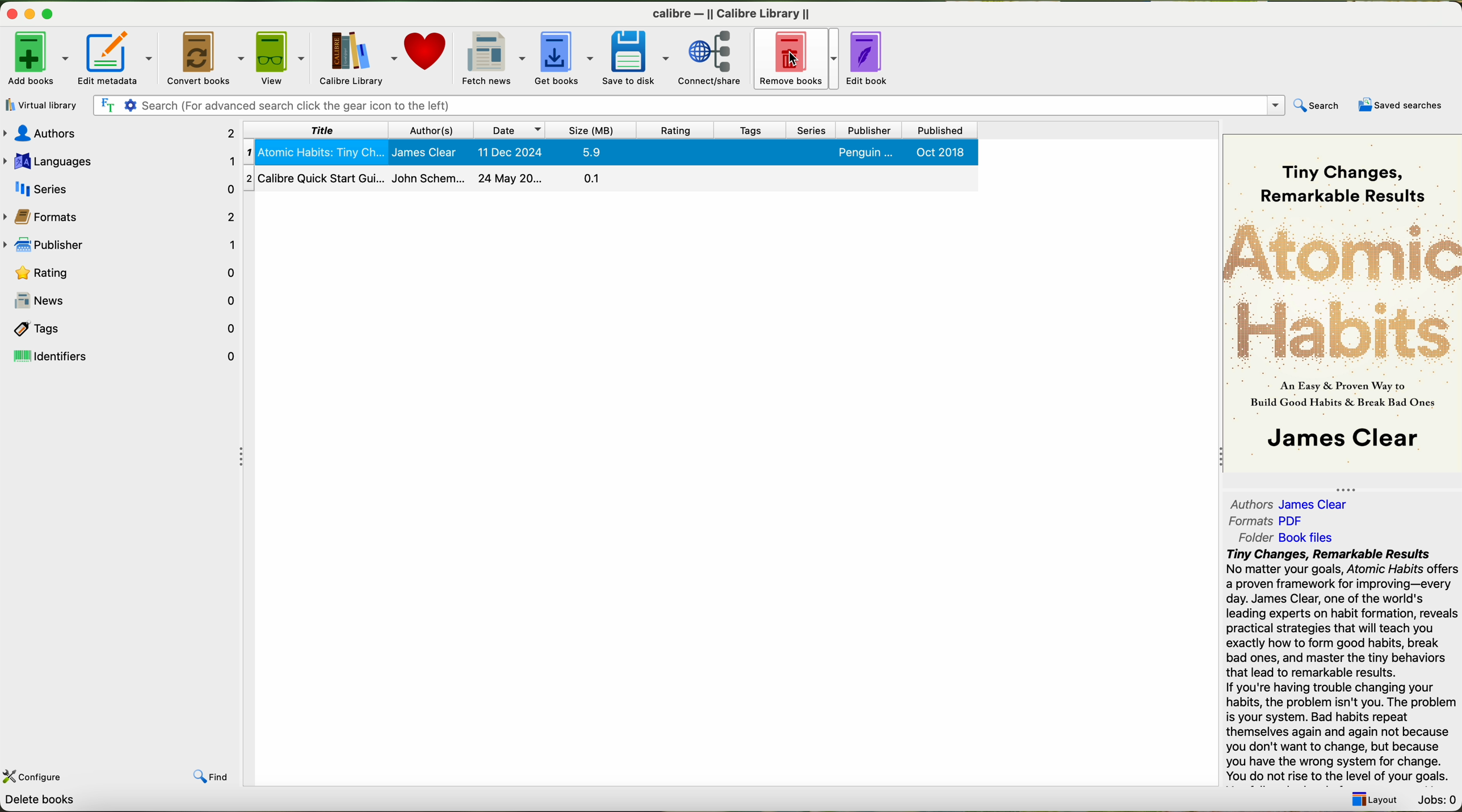 This screenshot has height=812, width=1462. I want to click on layout, so click(1378, 800).